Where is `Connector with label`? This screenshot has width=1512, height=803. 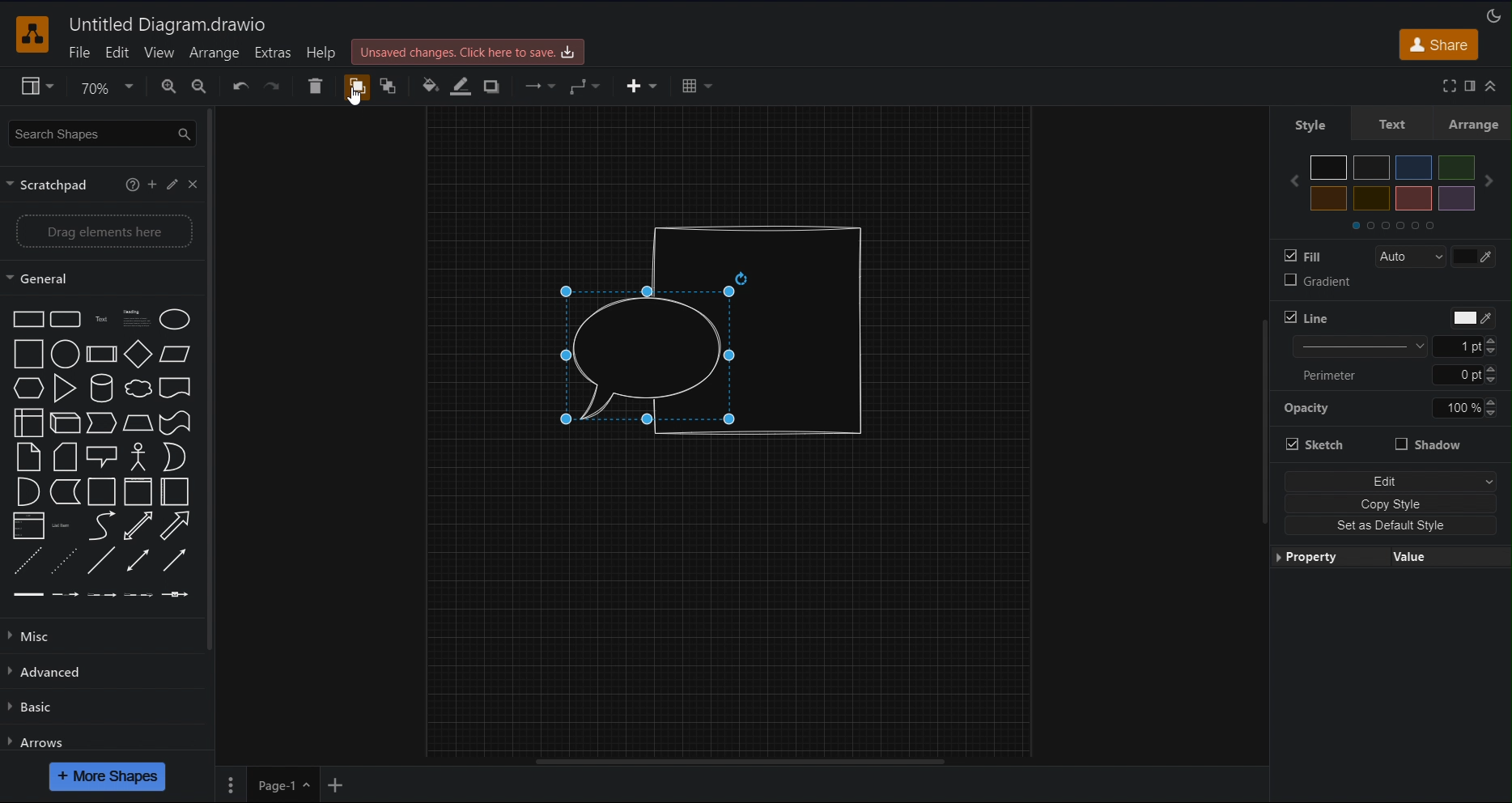 Connector with label is located at coordinates (64, 595).